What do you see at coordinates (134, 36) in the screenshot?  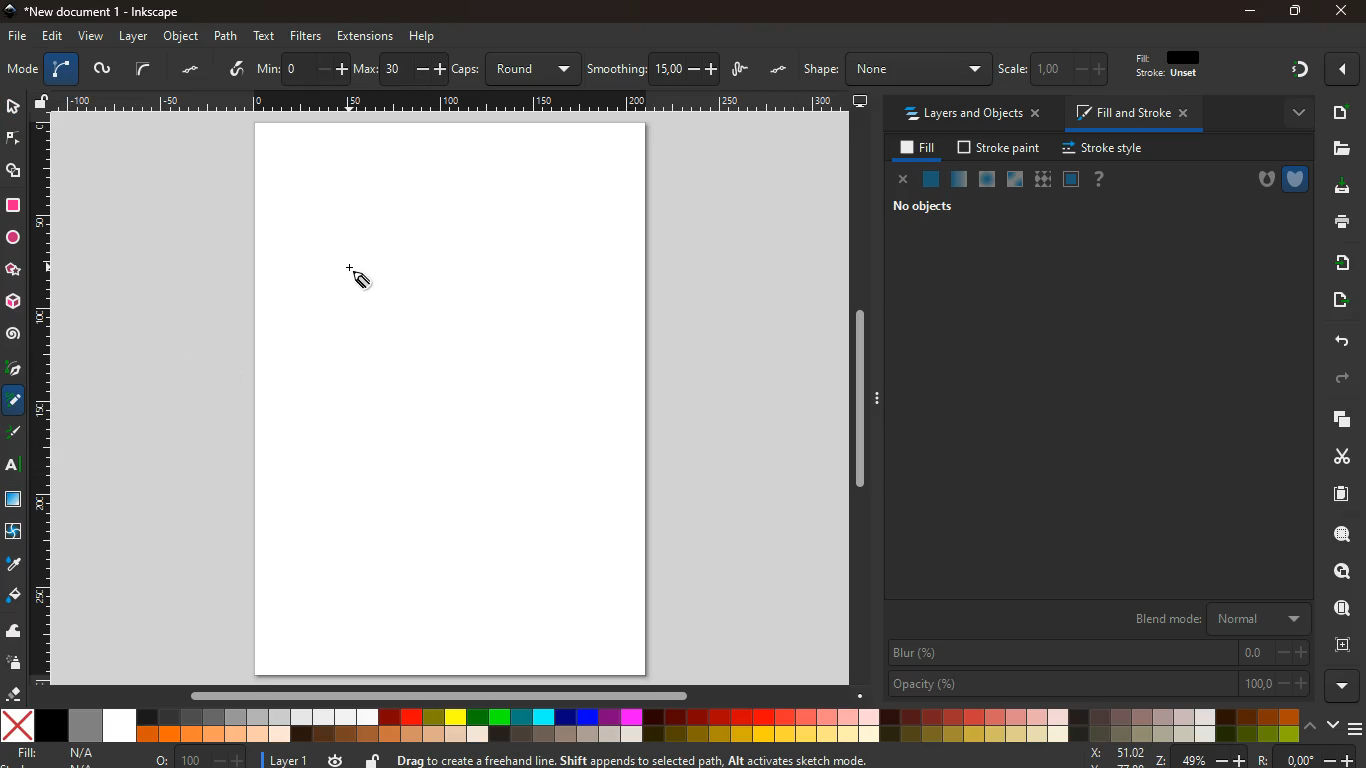 I see `layer` at bounding box center [134, 36].